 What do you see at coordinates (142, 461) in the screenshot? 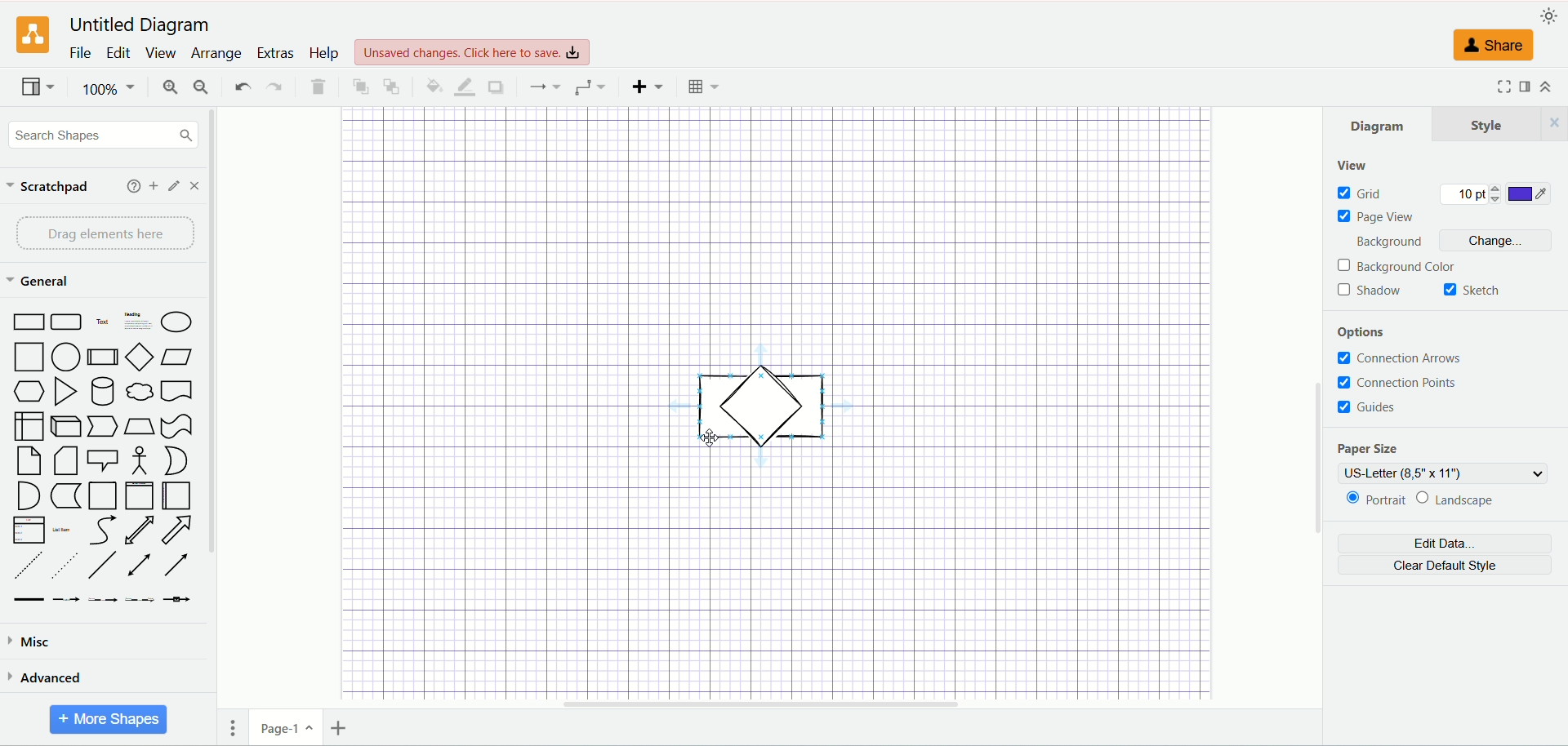
I see `Actor` at bounding box center [142, 461].